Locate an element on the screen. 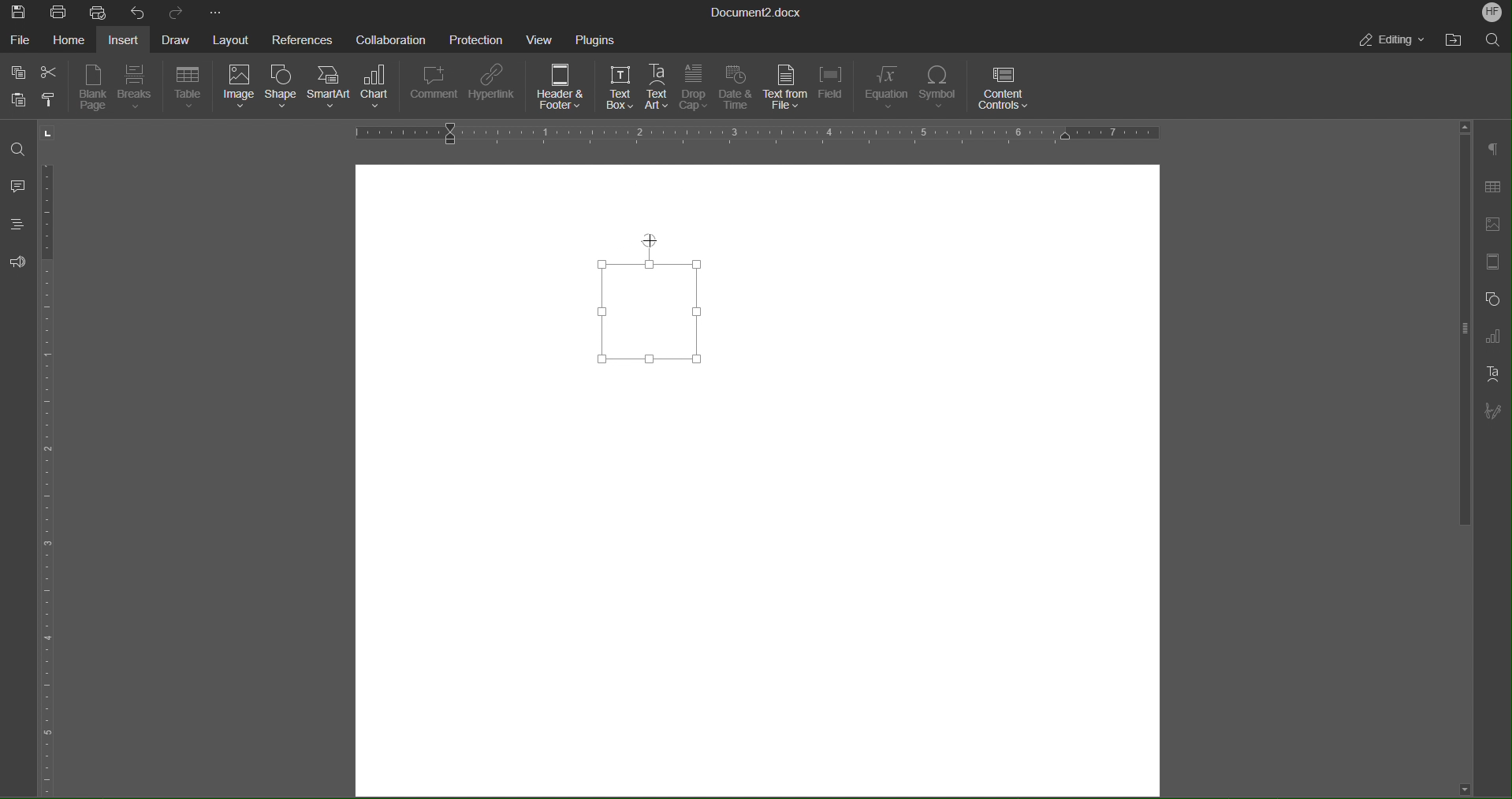  Draw is located at coordinates (174, 38).